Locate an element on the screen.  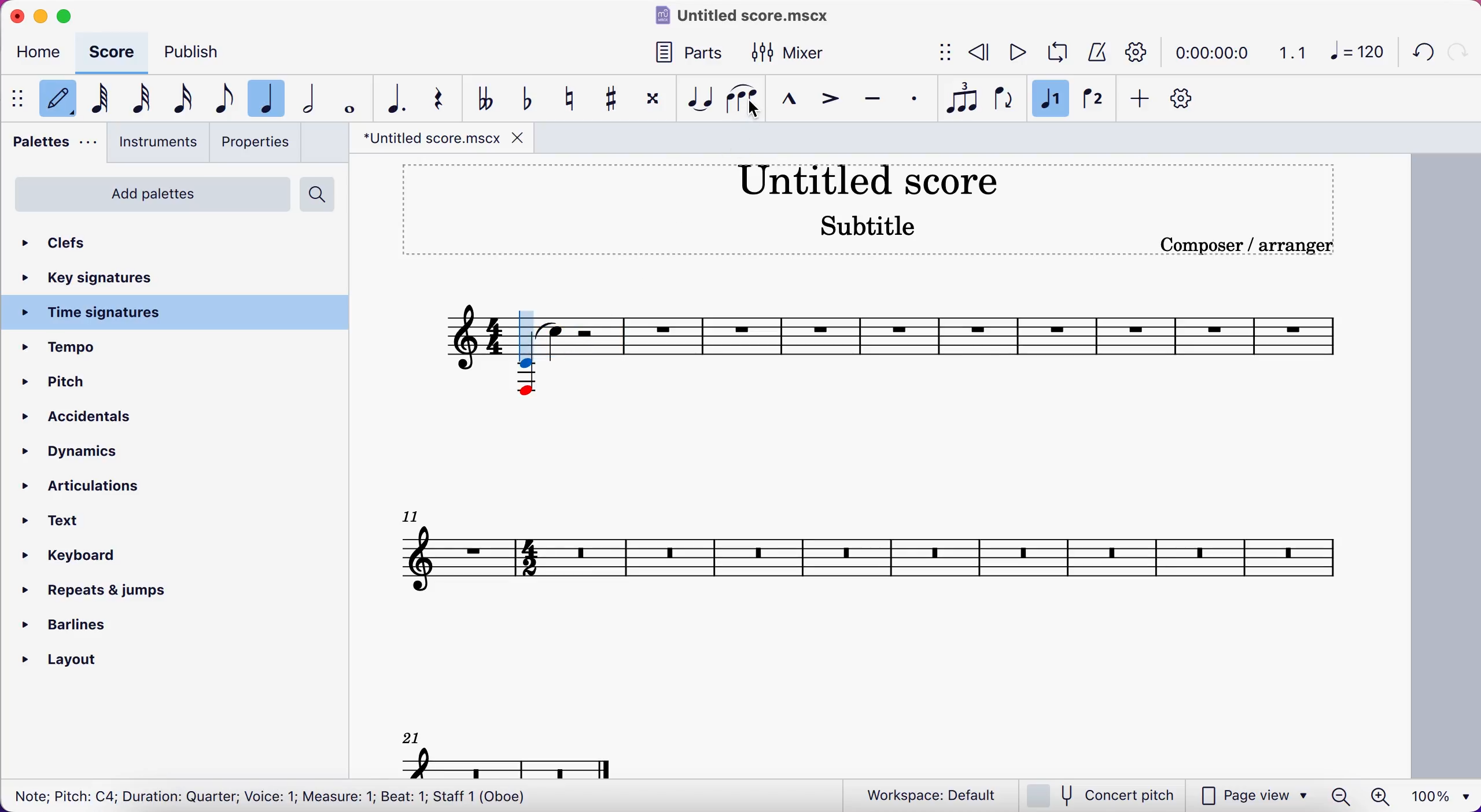
0:00:00:0 is located at coordinates (1211, 51).